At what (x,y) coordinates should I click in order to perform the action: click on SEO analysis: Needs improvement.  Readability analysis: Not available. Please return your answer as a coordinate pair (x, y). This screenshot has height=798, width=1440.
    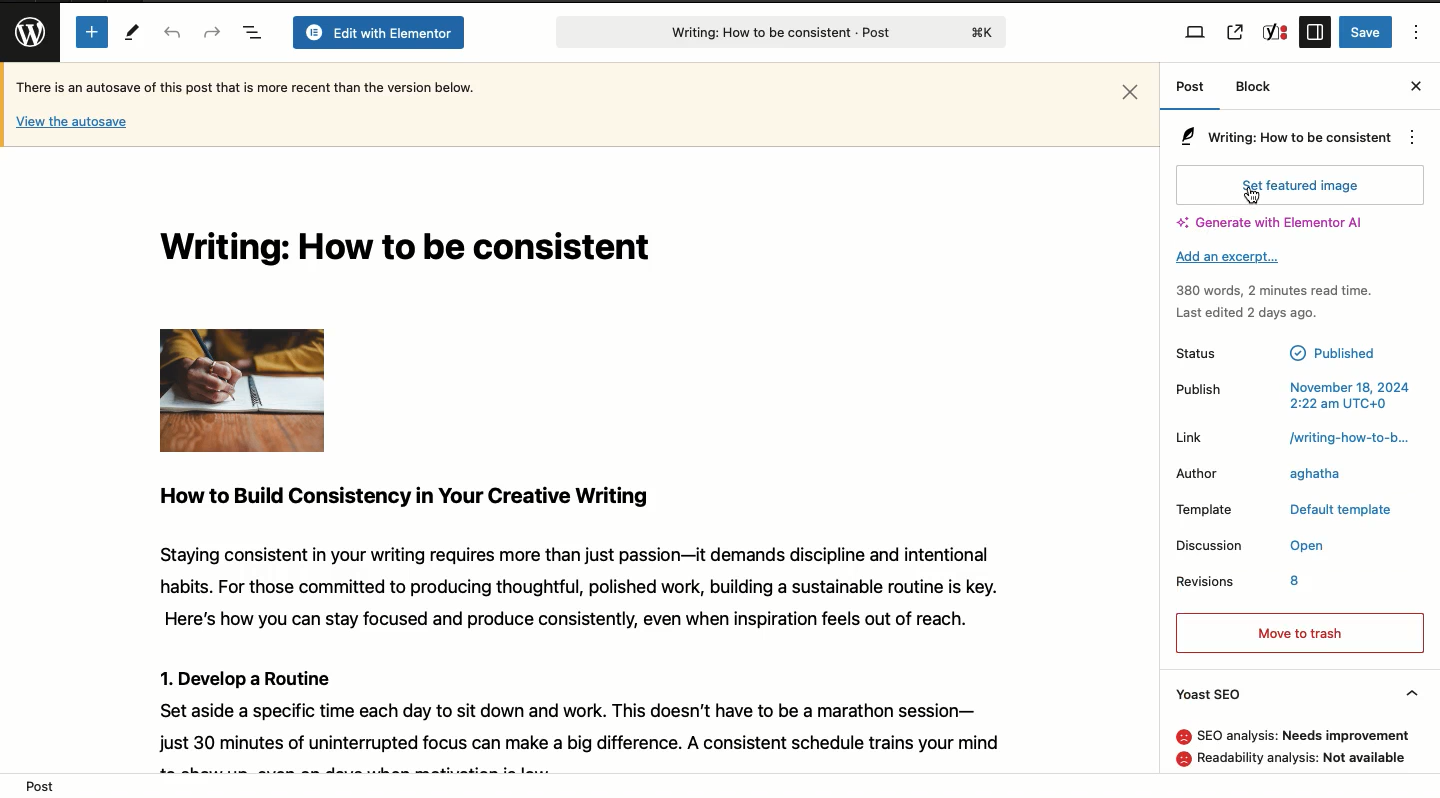
    Looking at the image, I should click on (1280, 748).